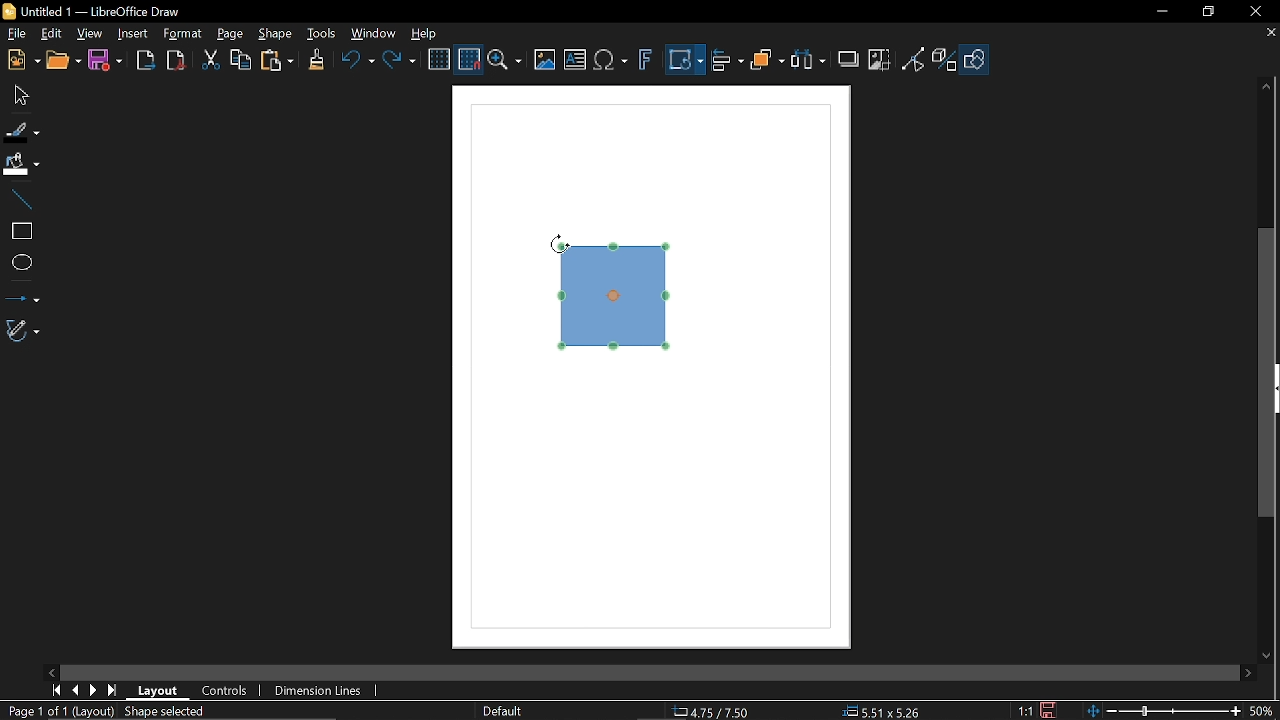  I want to click on HElp, so click(422, 31).